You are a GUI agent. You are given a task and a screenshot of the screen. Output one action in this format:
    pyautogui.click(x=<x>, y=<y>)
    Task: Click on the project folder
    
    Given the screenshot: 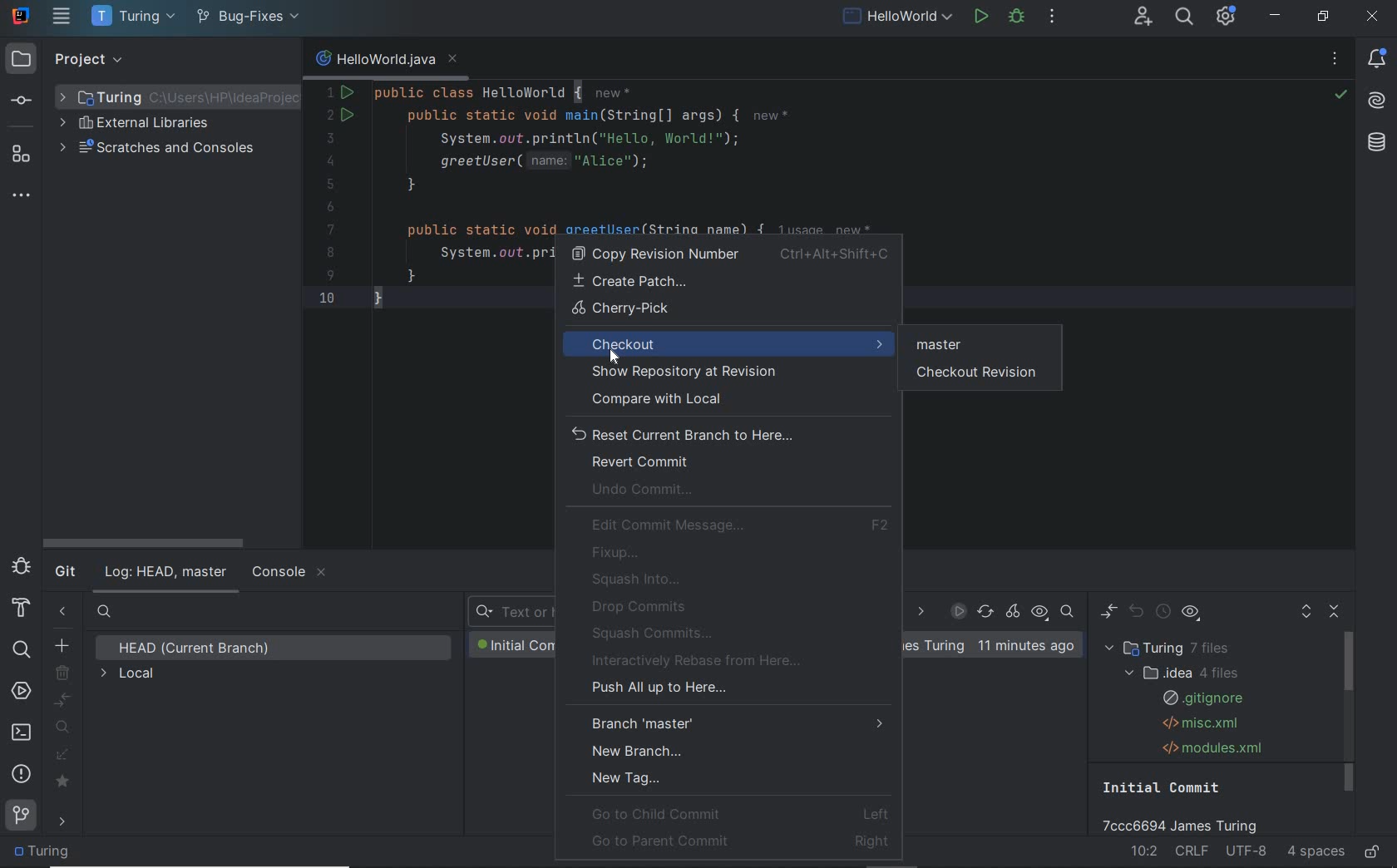 What is the action you would take?
    pyautogui.click(x=46, y=852)
    